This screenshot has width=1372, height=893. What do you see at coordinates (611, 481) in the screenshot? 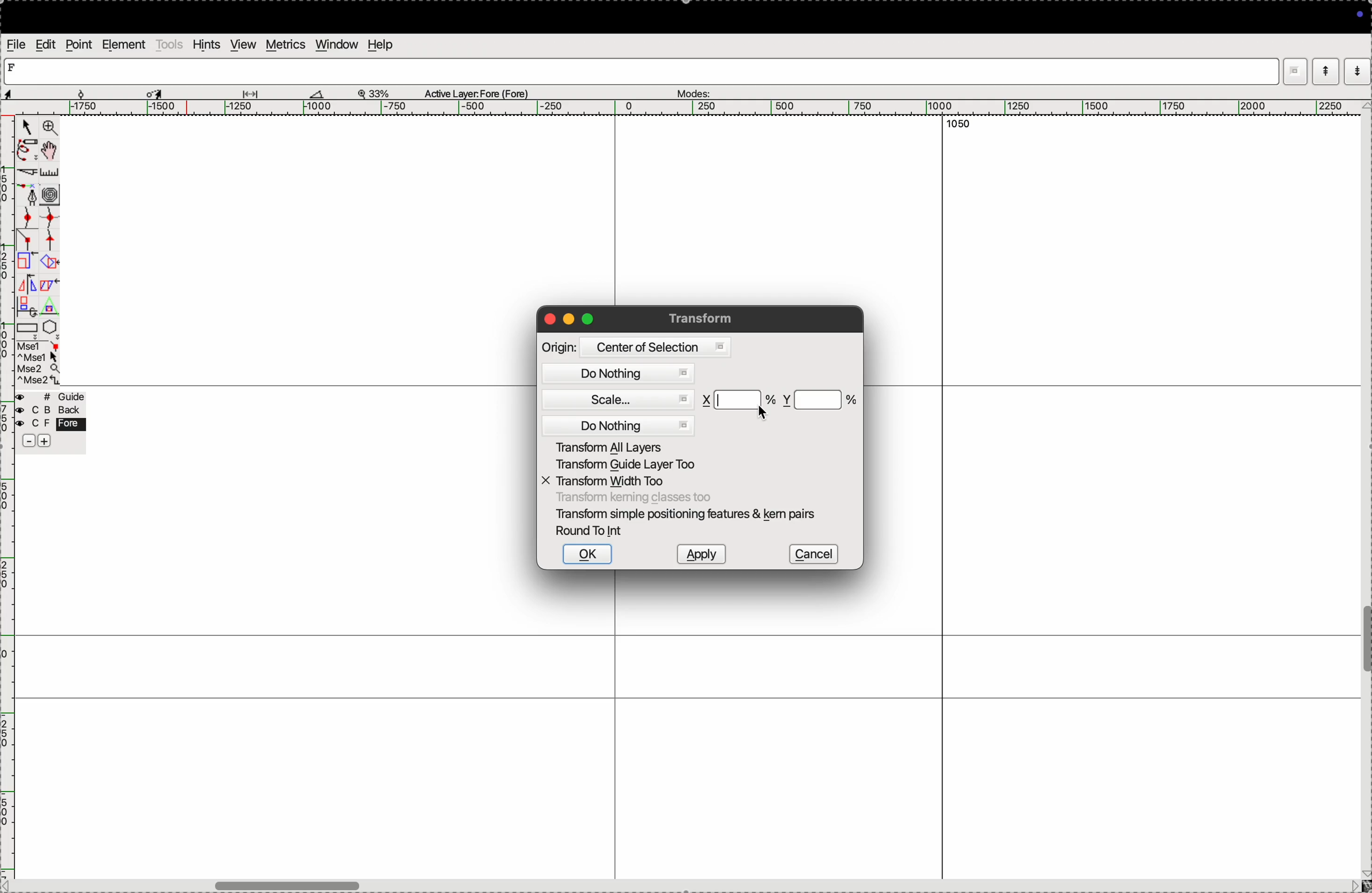
I see `transform width too` at bounding box center [611, 481].